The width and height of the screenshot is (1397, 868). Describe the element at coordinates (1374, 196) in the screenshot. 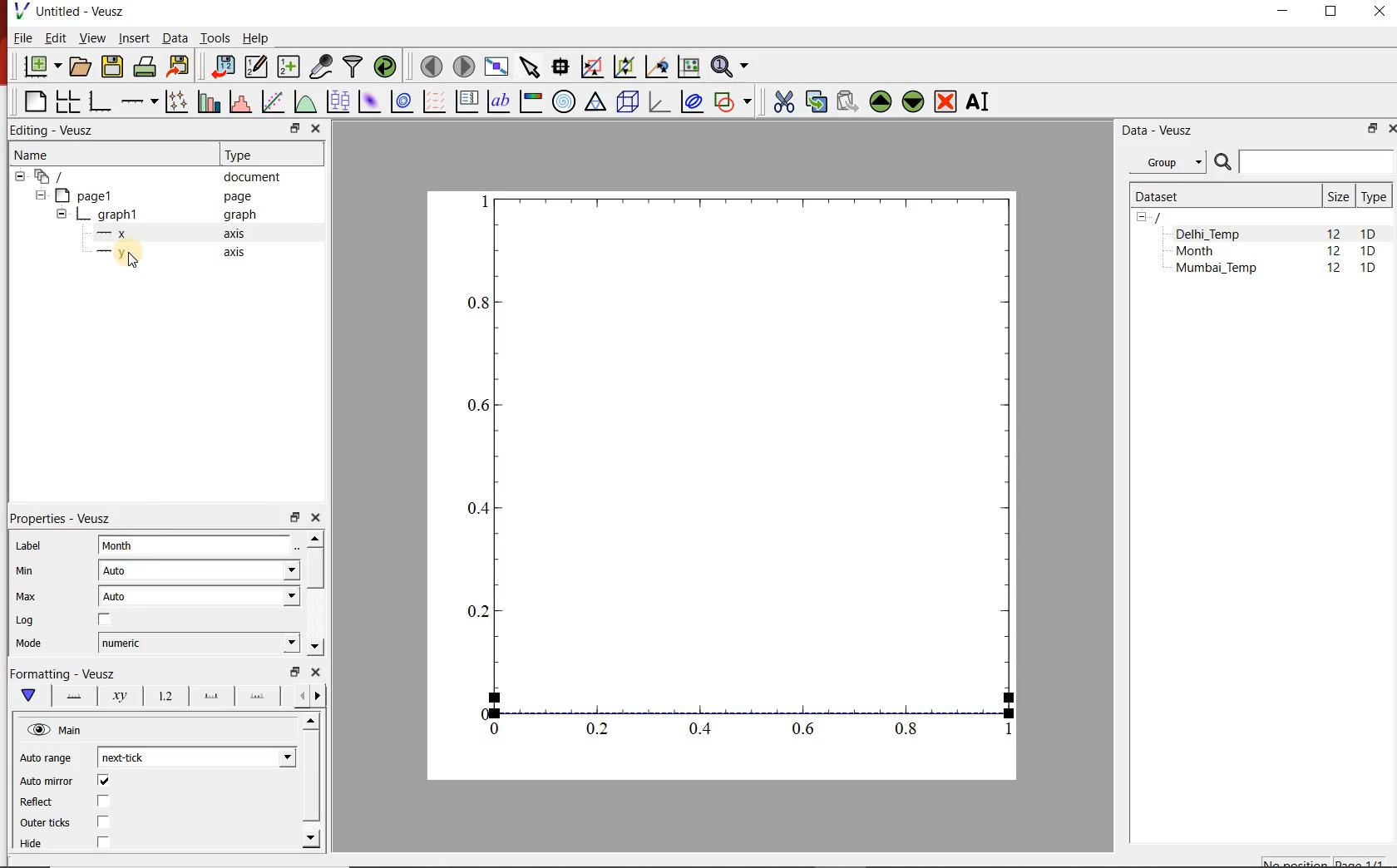

I see `Type` at that location.